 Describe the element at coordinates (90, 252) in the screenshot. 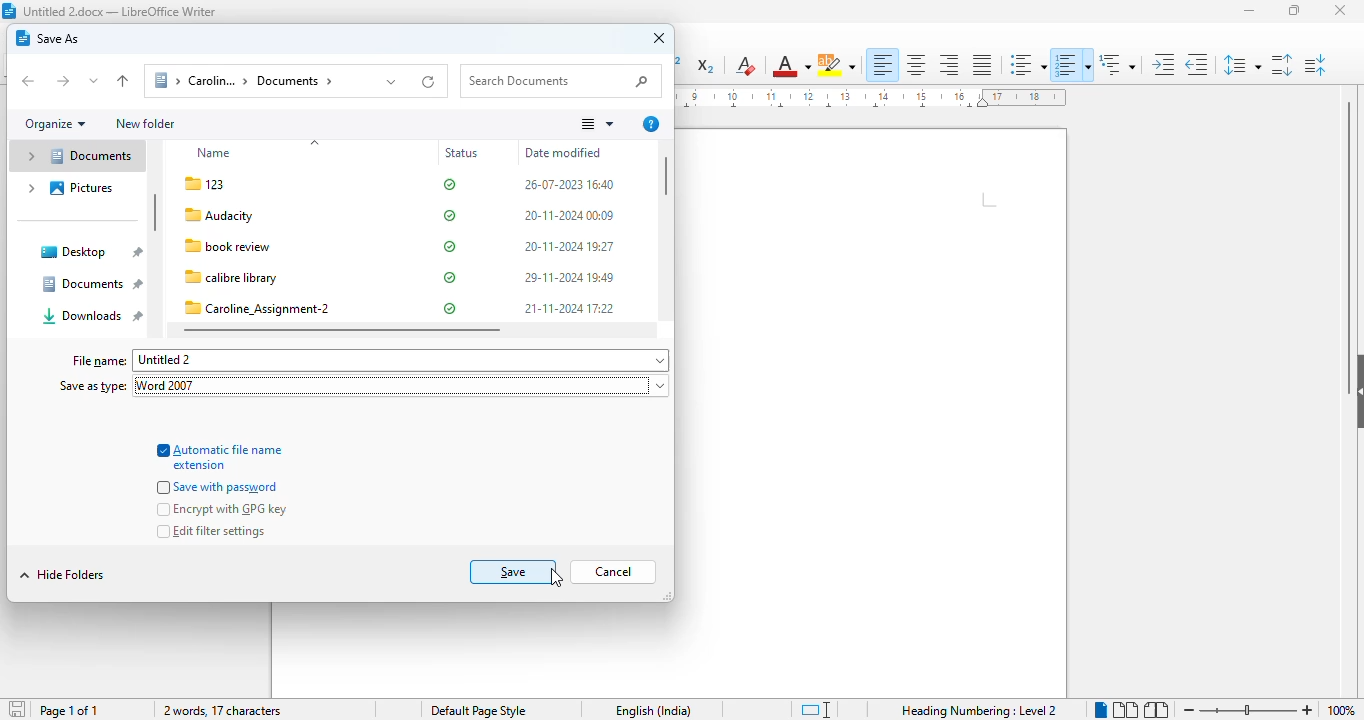

I see `desktop` at that location.